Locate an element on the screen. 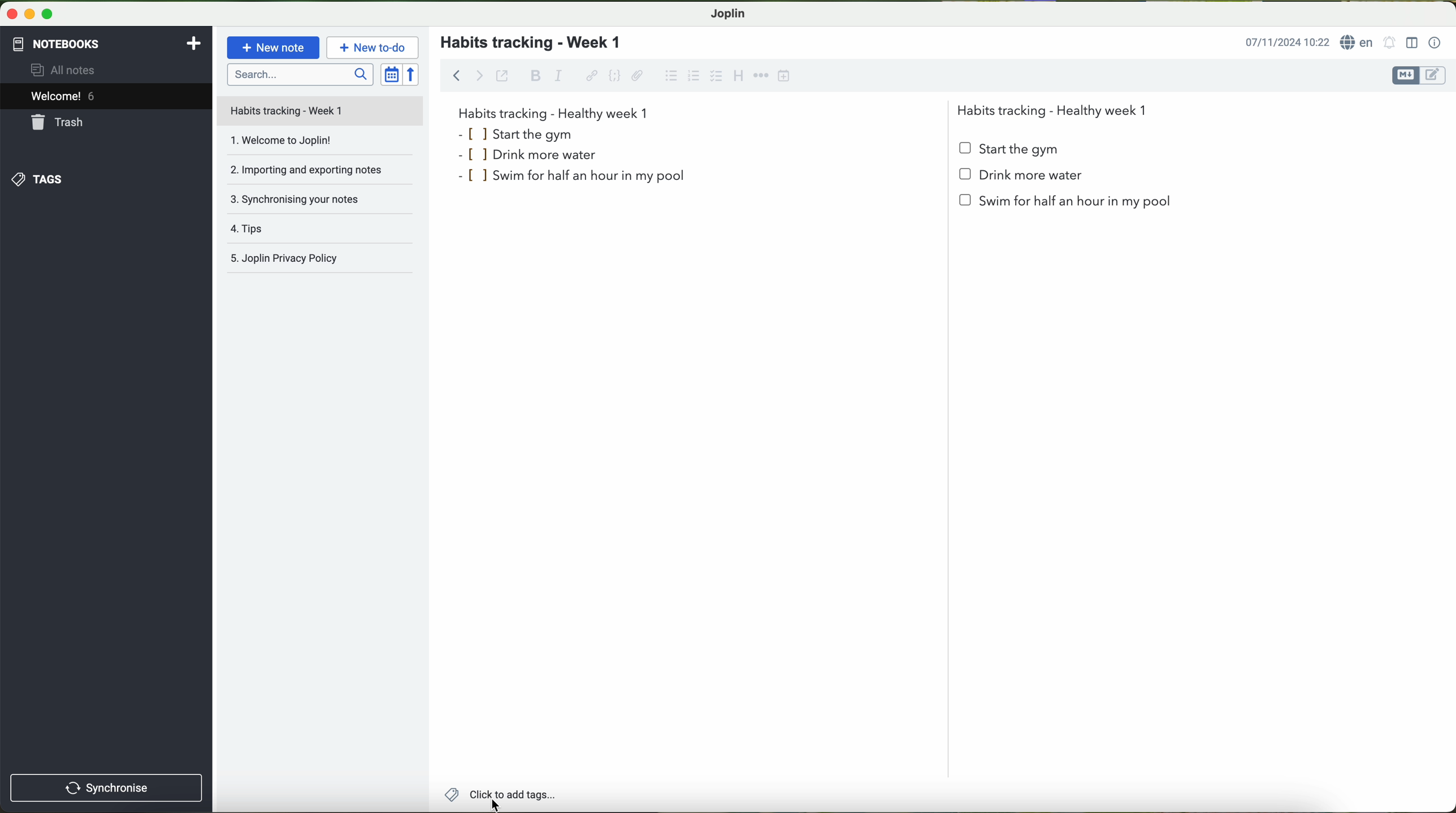 The height and width of the screenshot is (813, 1456). welcome 5 is located at coordinates (63, 96).